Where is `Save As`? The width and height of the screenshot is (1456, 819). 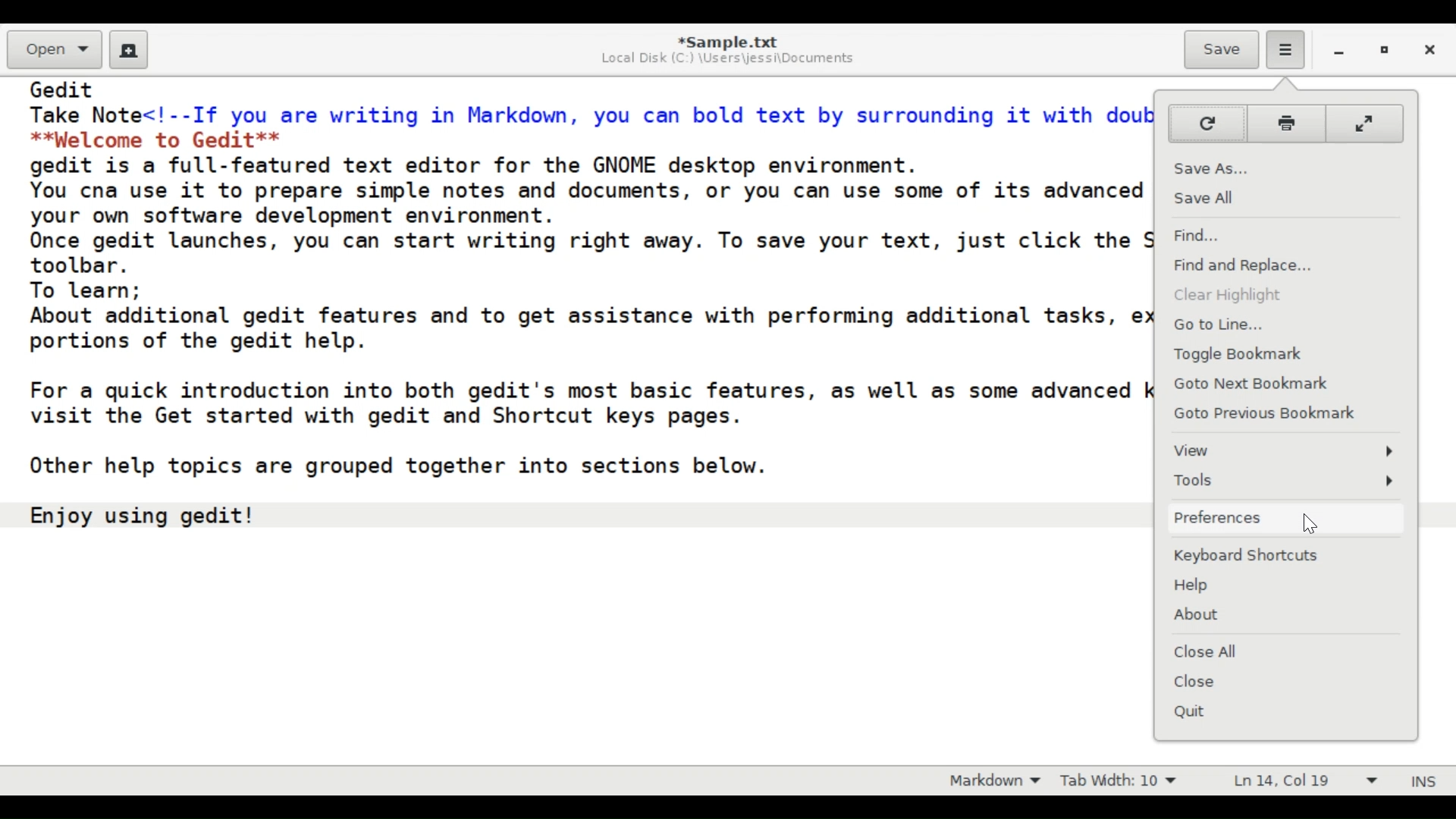
Save As is located at coordinates (1282, 168).